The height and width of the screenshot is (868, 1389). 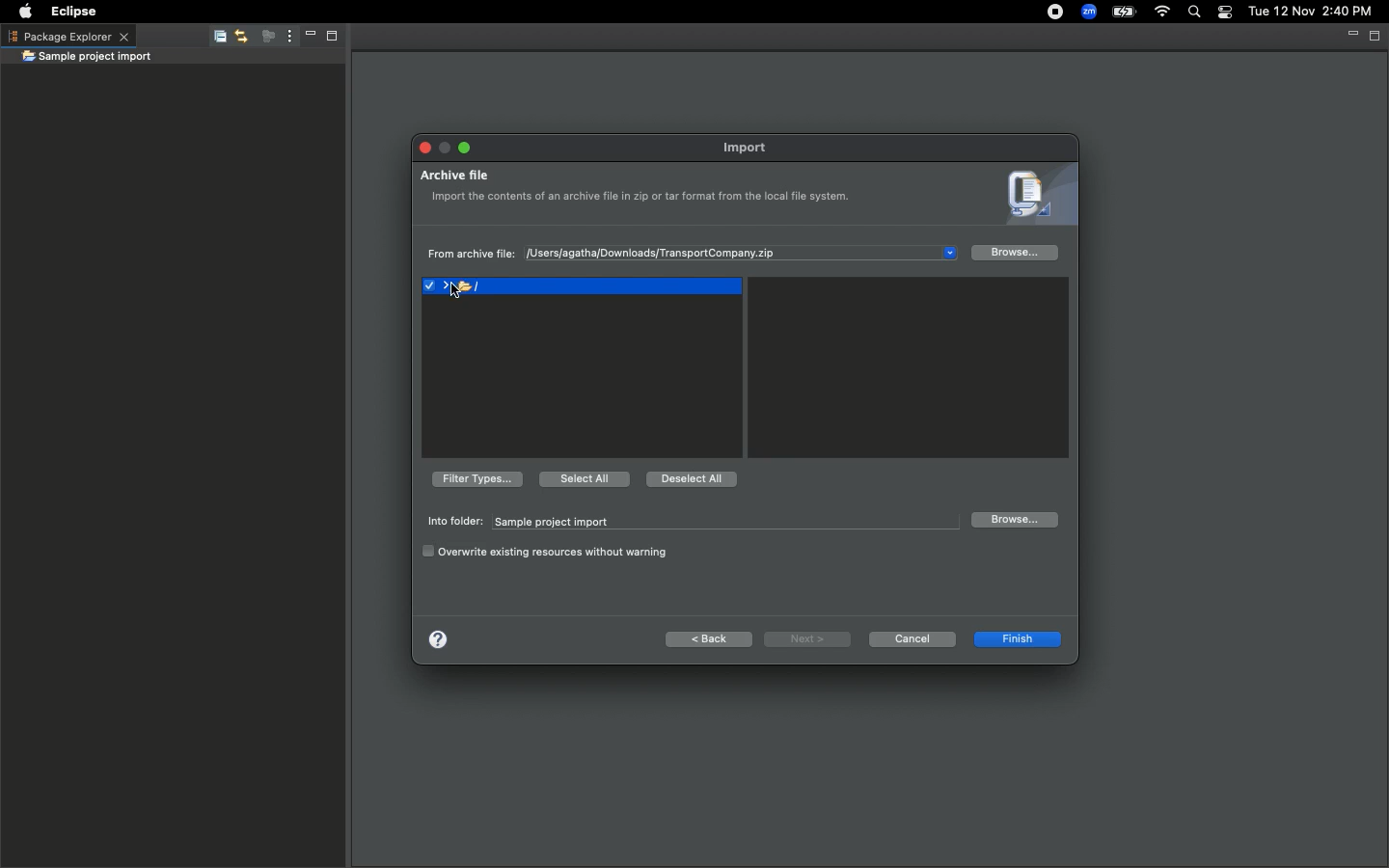 I want to click on Eclipse, so click(x=76, y=12).